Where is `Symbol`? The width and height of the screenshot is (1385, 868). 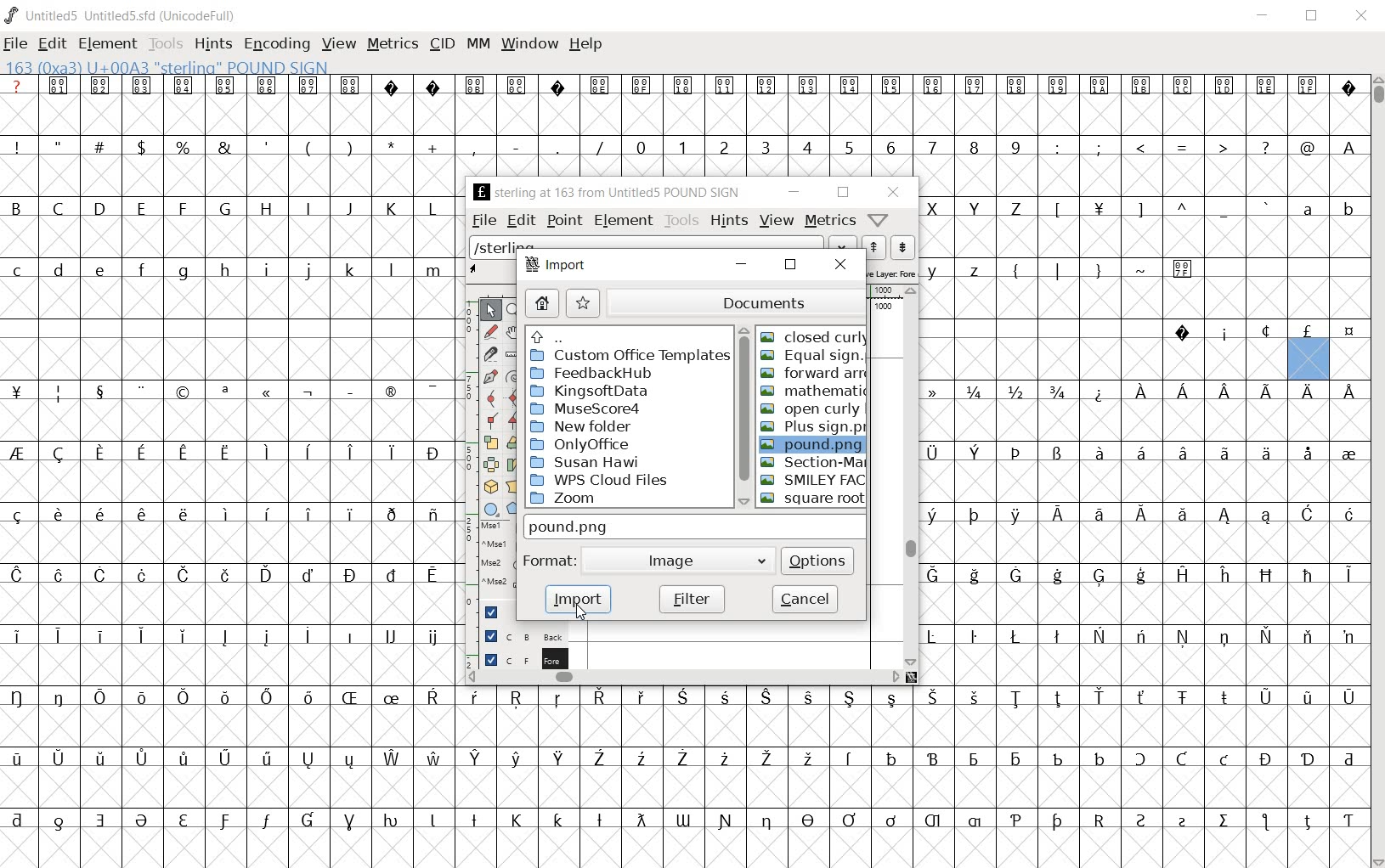 Symbol is located at coordinates (1348, 453).